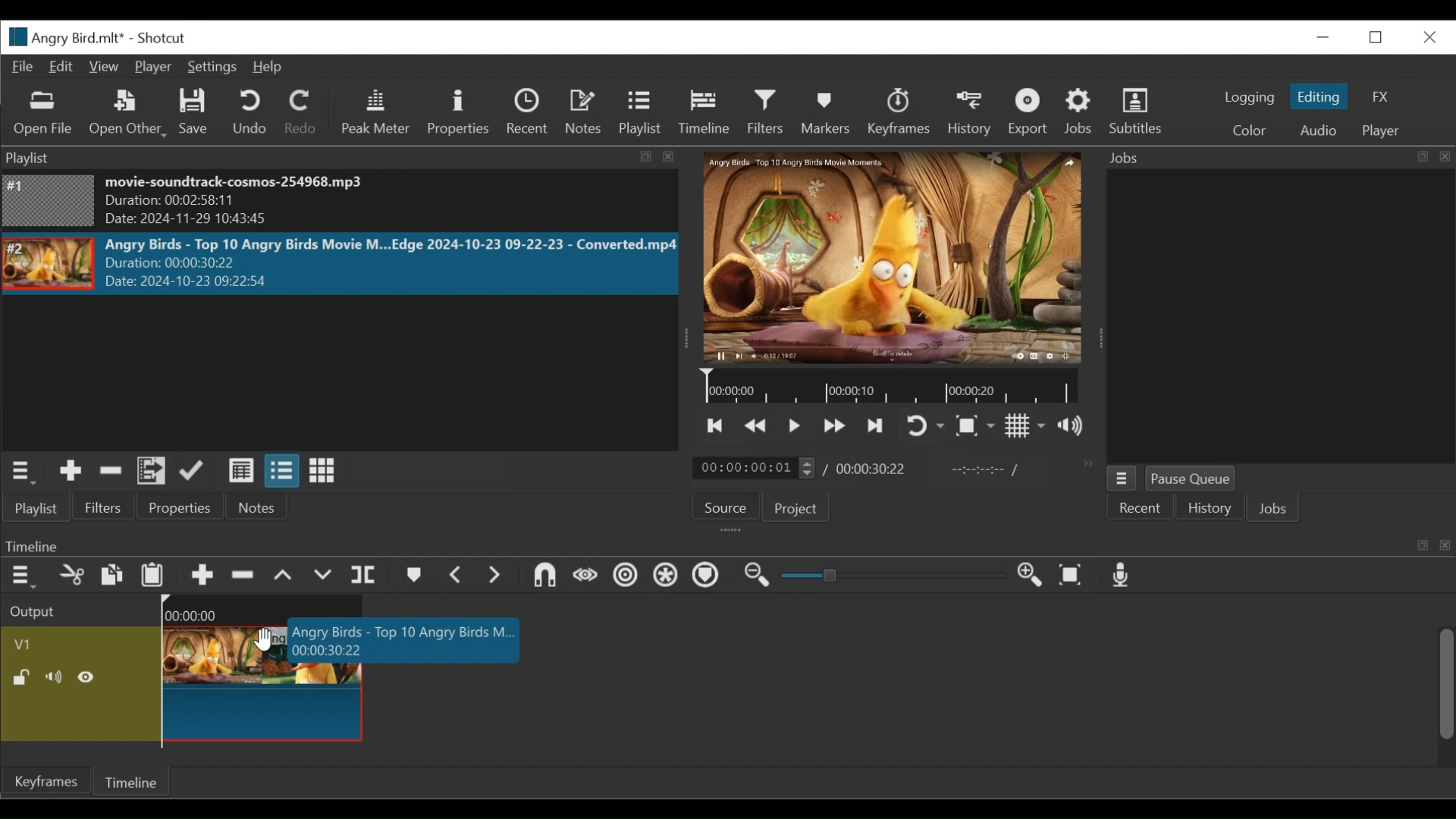  What do you see at coordinates (151, 67) in the screenshot?
I see `Player` at bounding box center [151, 67].